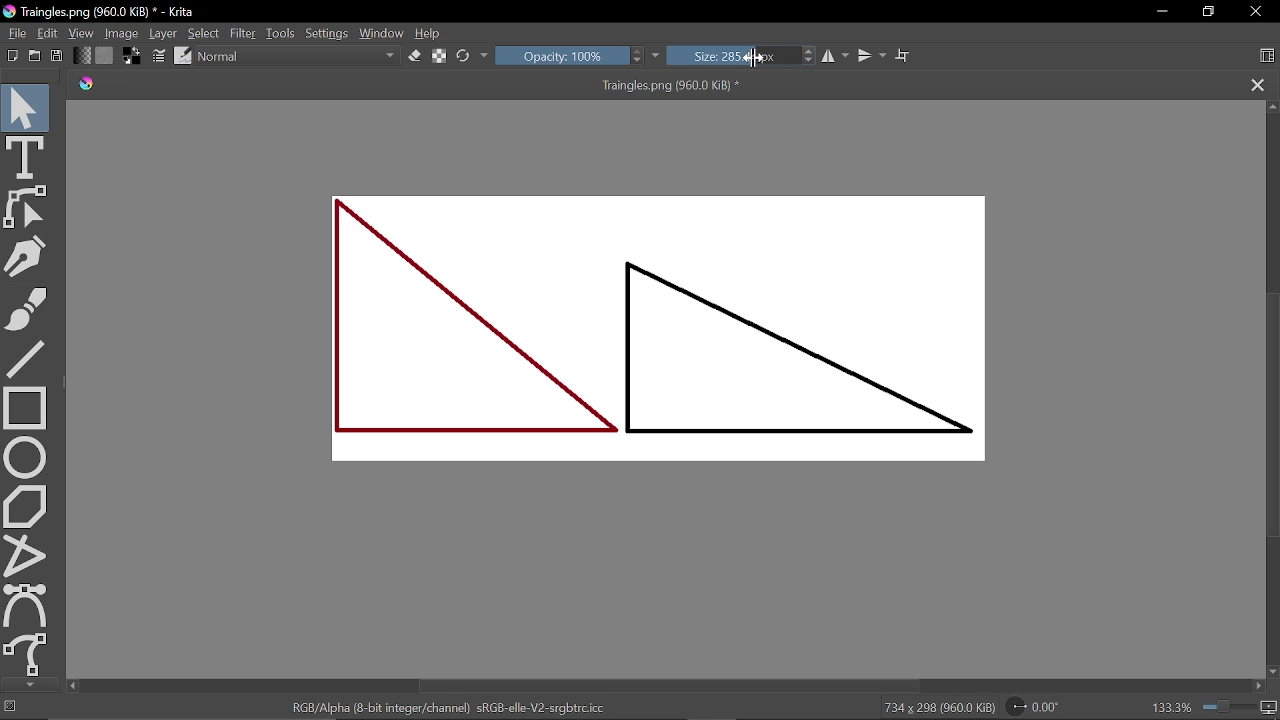 The image size is (1280, 720). I want to click on Ellipse tool, so click(26, 457).